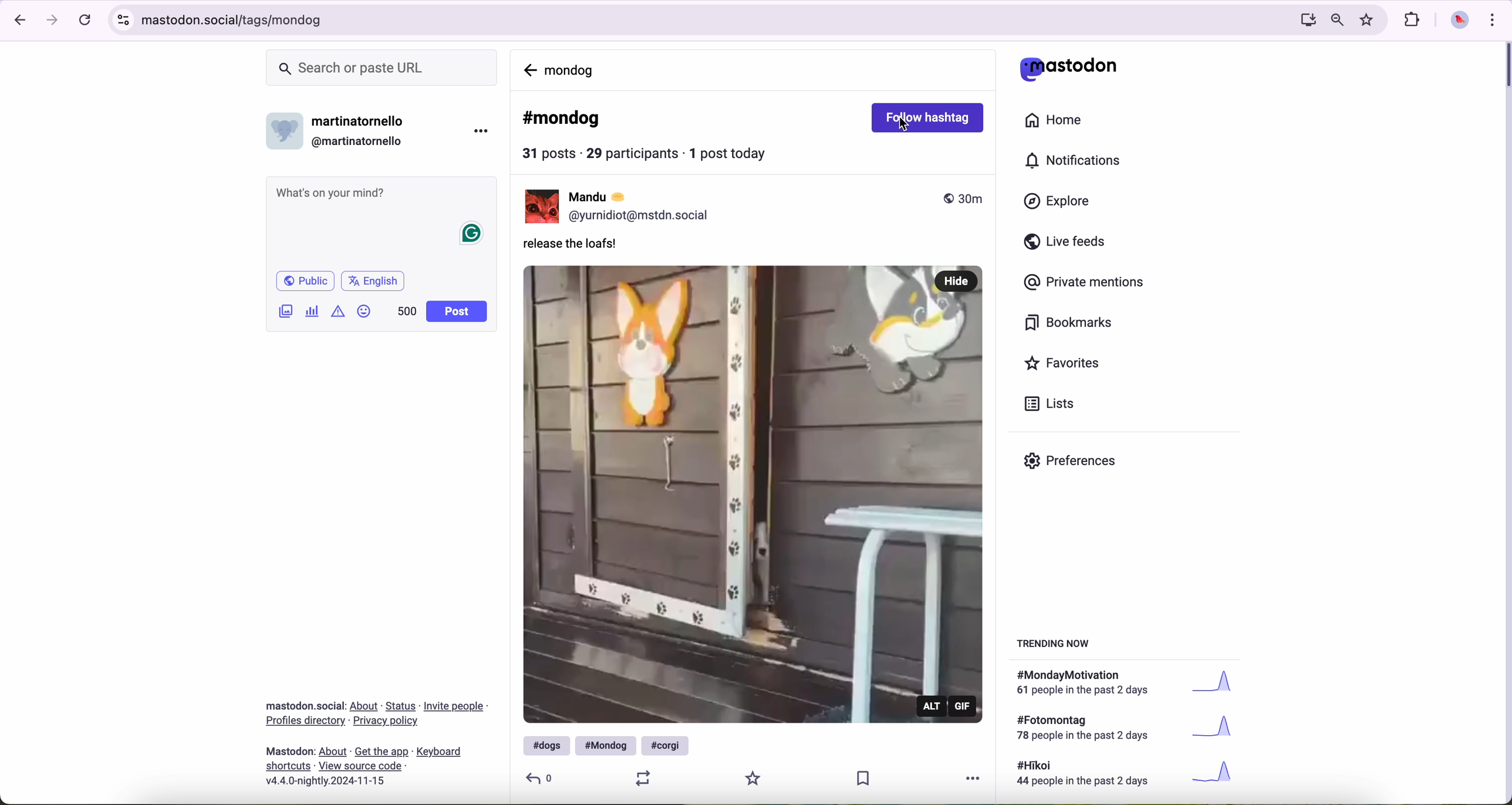 This screenshot has width=1512, height=805. I want to click on more options, so click(978, 777).